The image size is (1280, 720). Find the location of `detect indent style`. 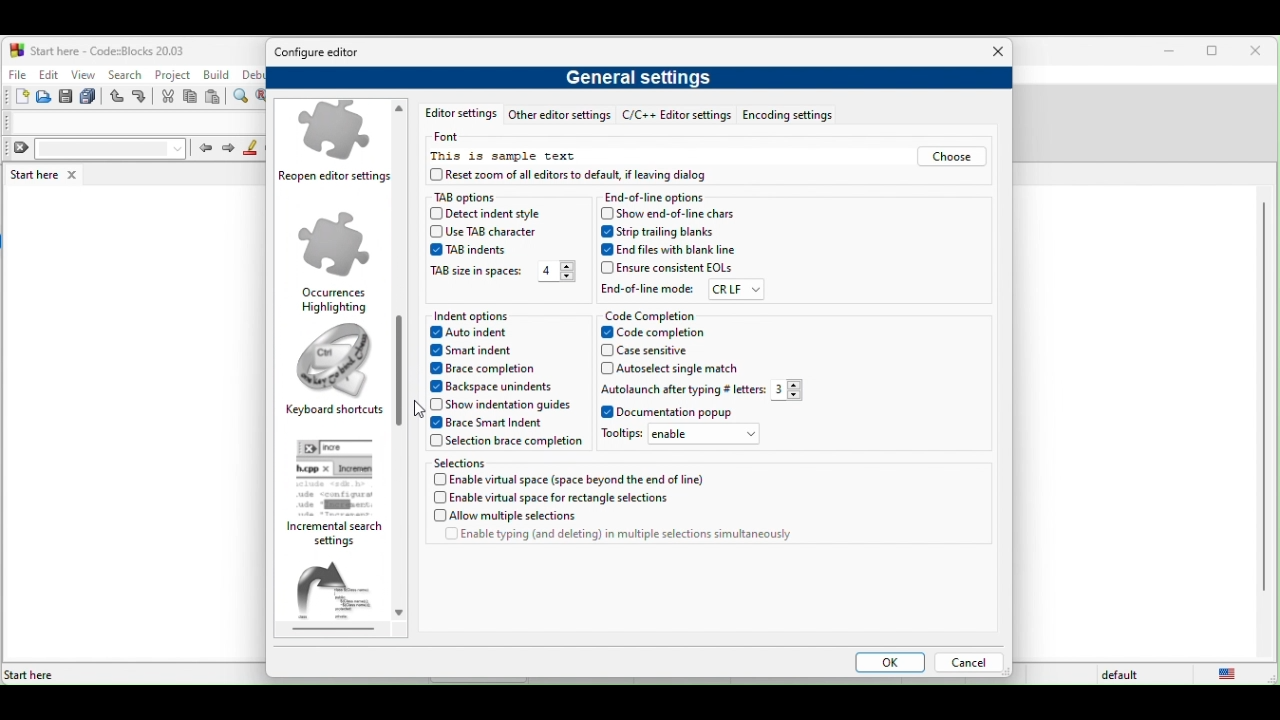

detect indent style is located at coordinates (504, 215).